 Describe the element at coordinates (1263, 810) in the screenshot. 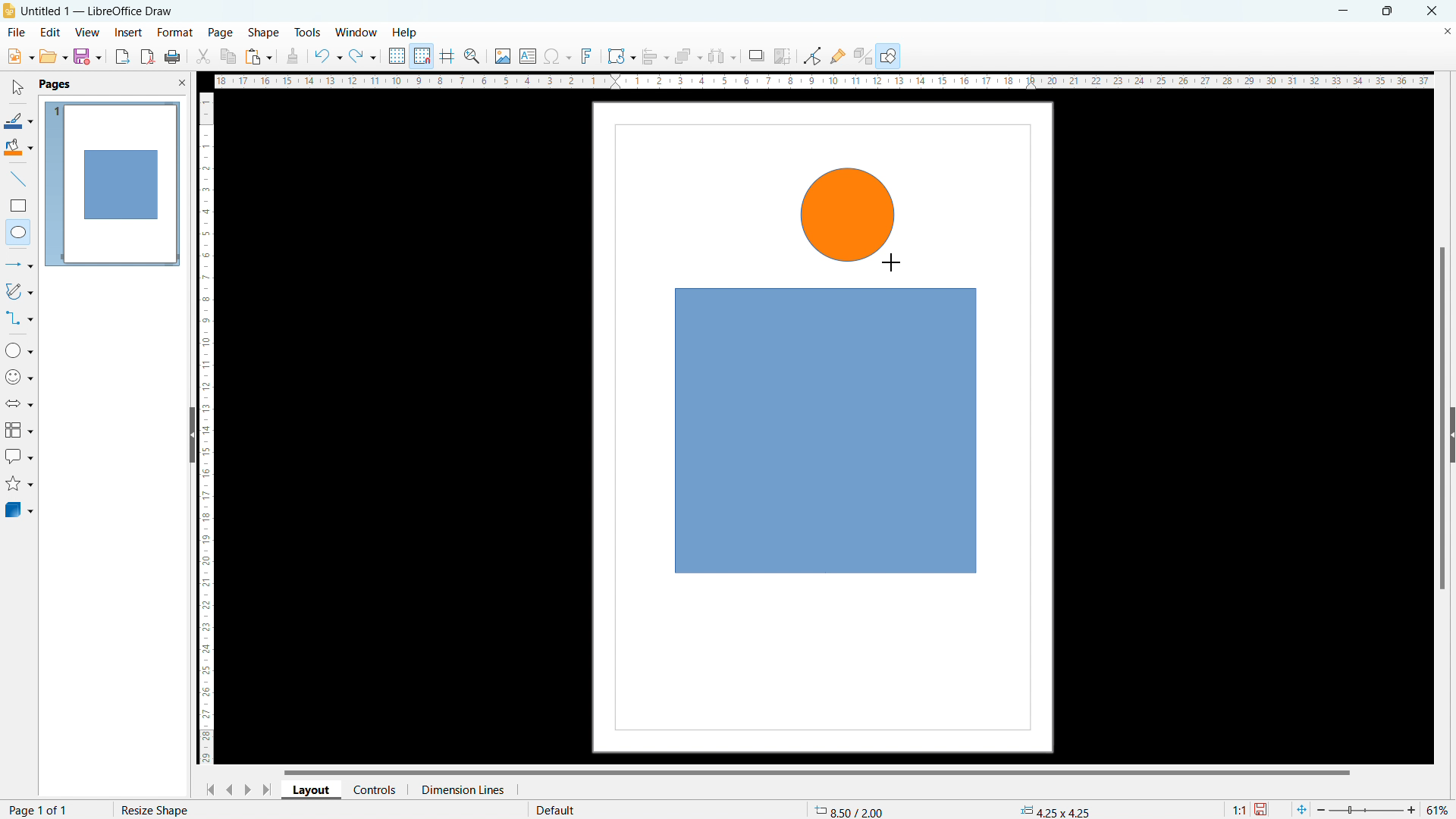

I see `save` at that location.